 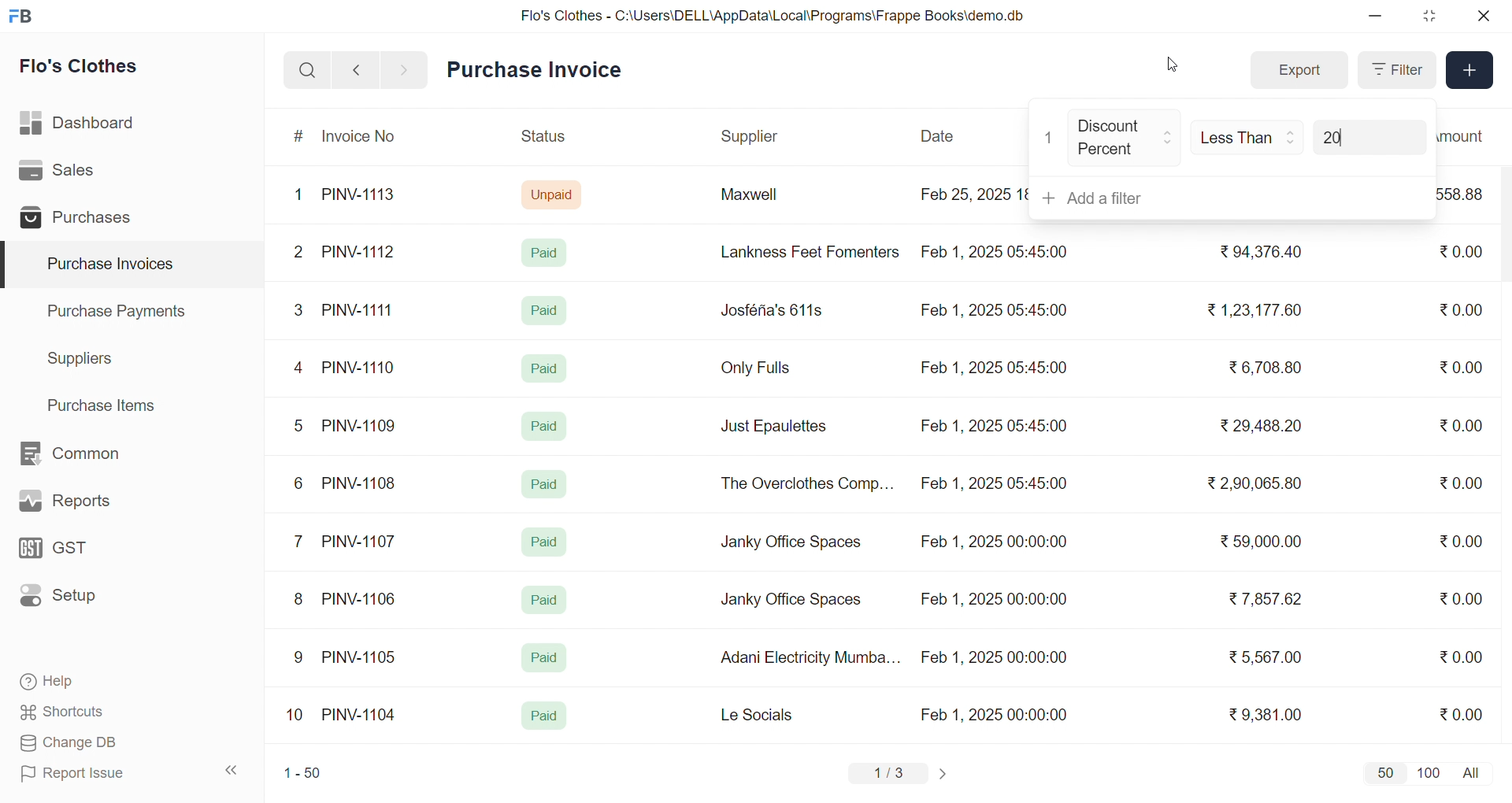 What do you see at coordinates (780, 427) in the screenshot?
I see `Just Epaulettes` at bounding box center [780, 427].